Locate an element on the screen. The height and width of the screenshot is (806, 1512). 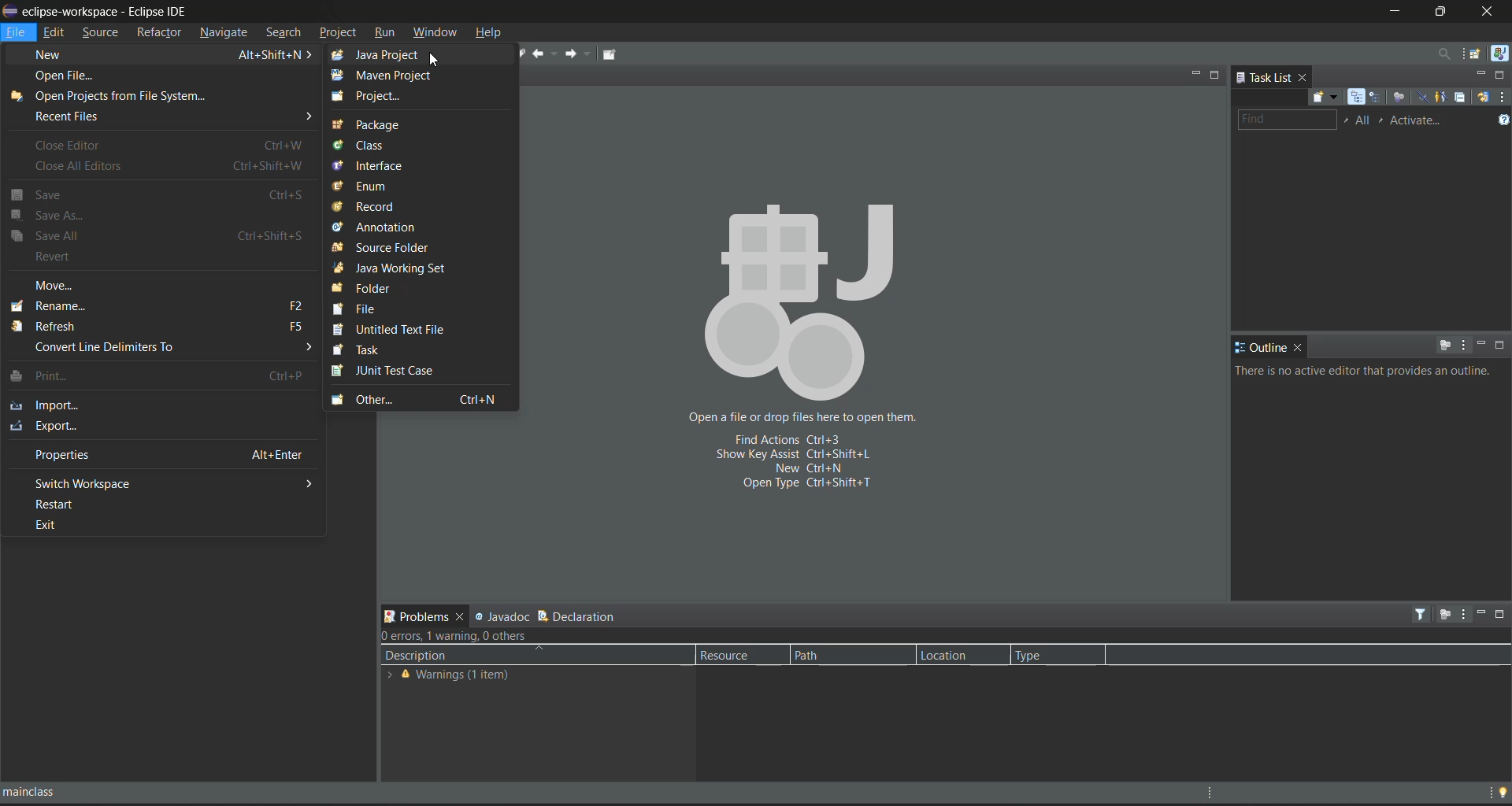
focus on active task is located at coordinates (1443, 615).